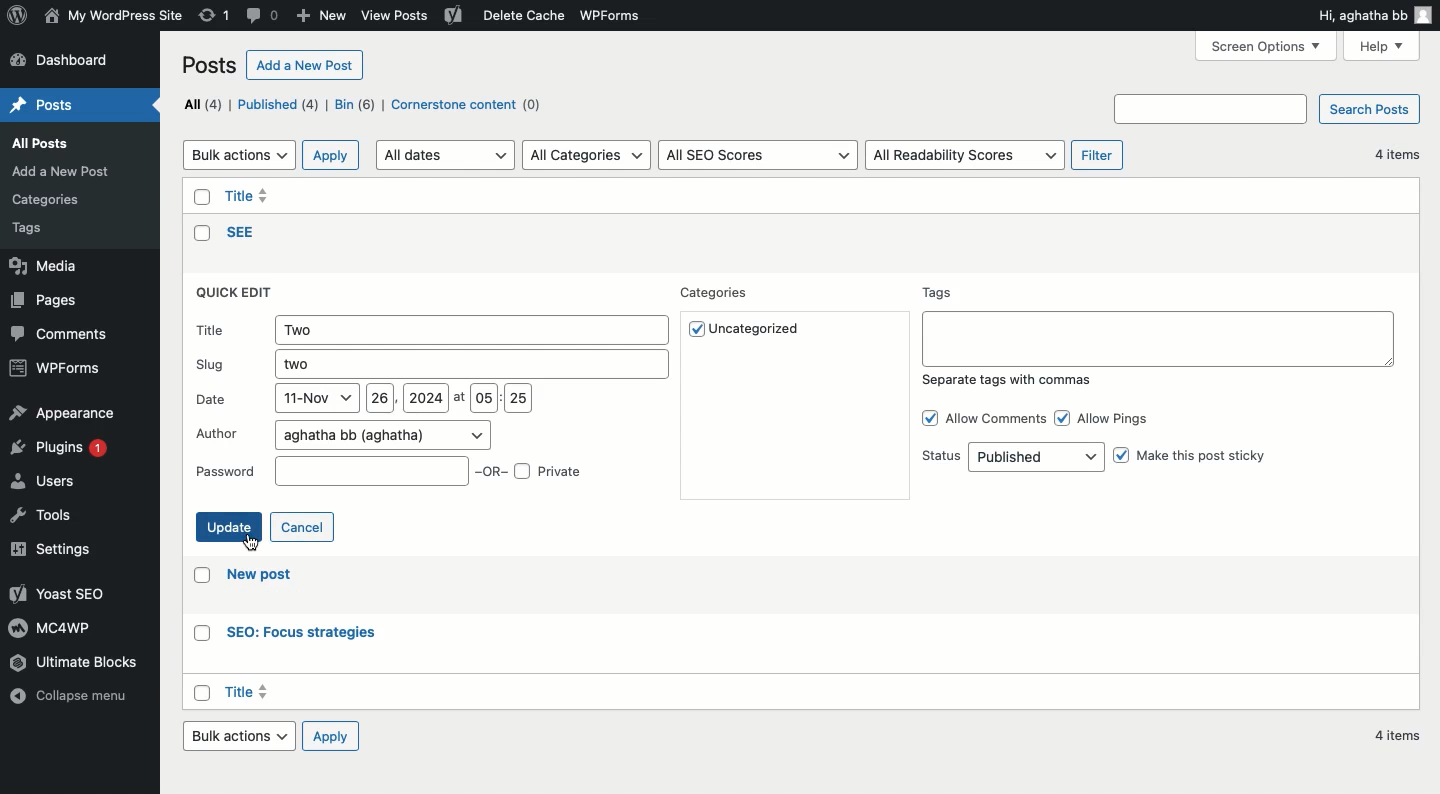  Describe the element at coordinates (89, 663) in the screenshot. I see `Ultimate blocks` at that location.